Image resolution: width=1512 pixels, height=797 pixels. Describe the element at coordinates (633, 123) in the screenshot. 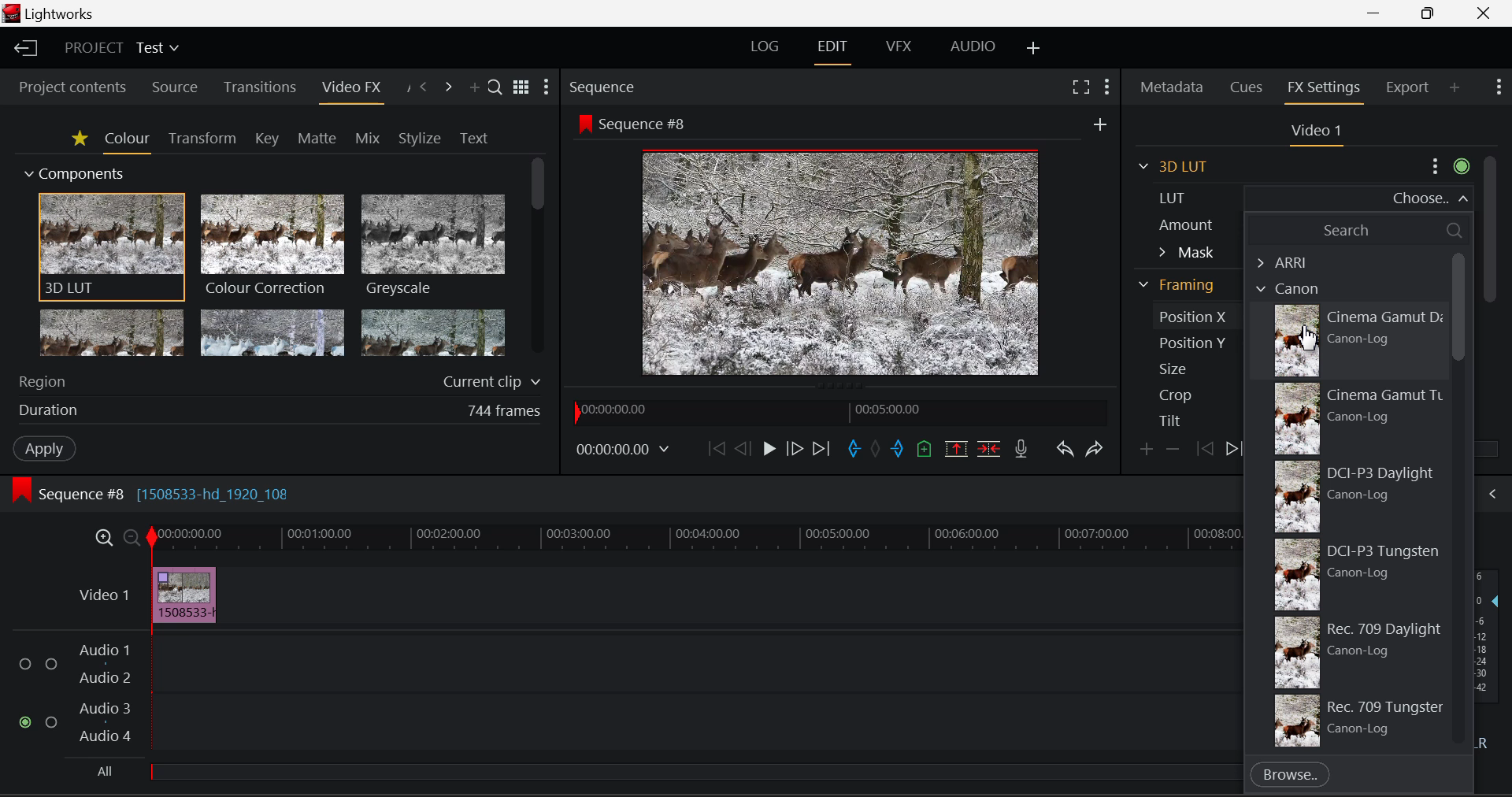

I see `Sequence #8` at that location.